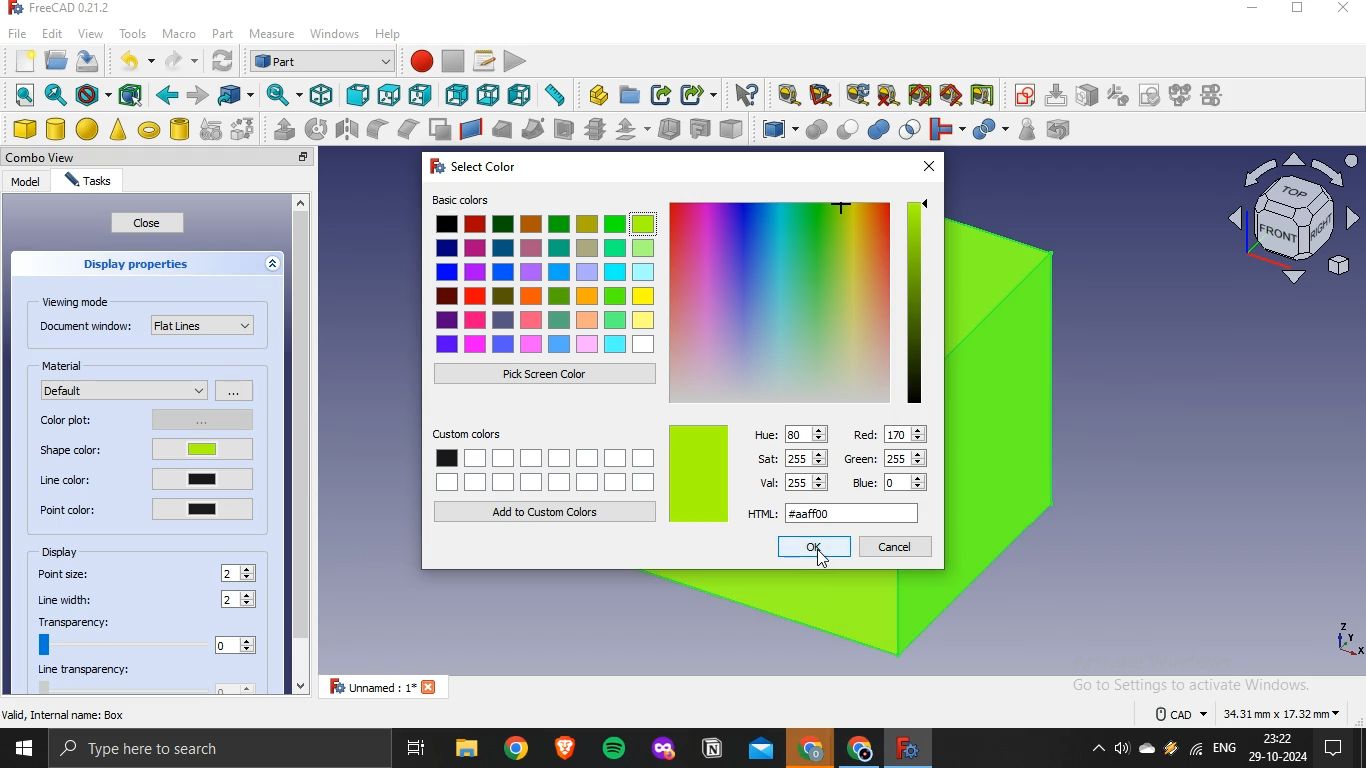 The height and width of the screenshot is (768, 1366). What do you see at coordinates (236, 94) in the screenshot?
I see `go to linked object` at bounding box center [236, 94].